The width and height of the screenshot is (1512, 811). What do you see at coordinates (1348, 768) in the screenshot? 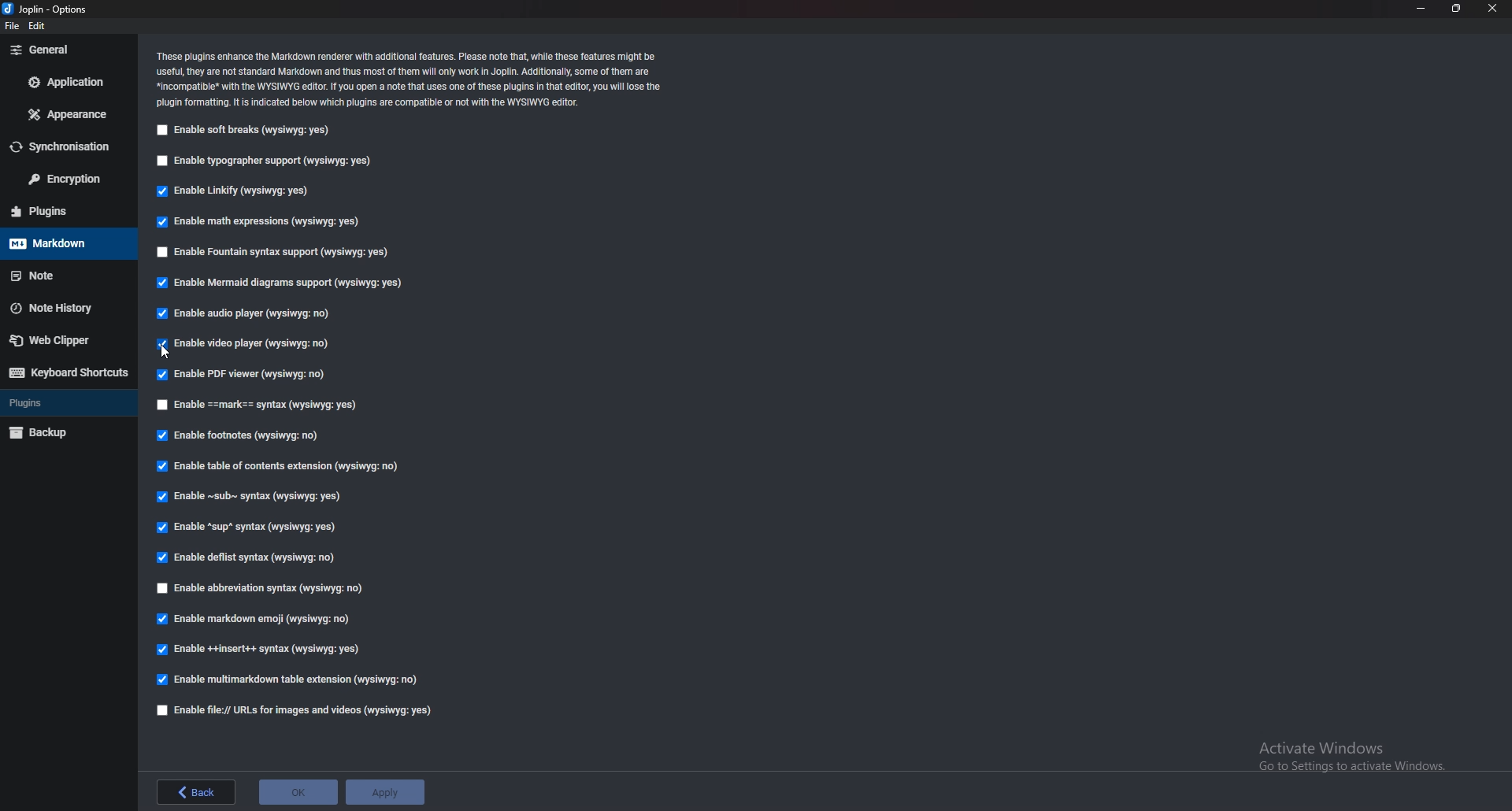
I see `Go to Settings to activate Windows.` at bounding box center [1348, 768].